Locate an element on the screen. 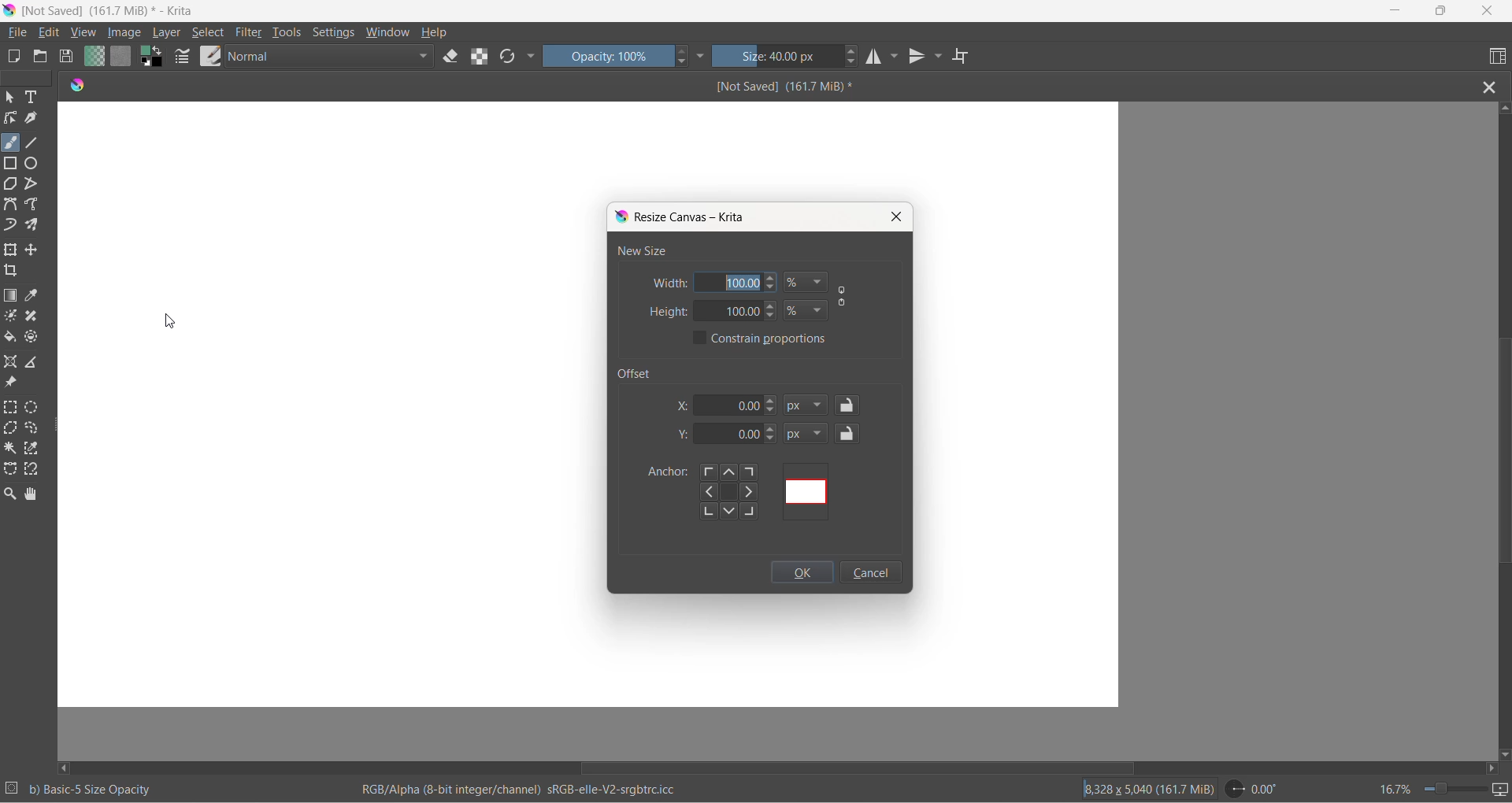 The width and height of the screenshot is (1512, 803). file is located at coordinates (20, 33).